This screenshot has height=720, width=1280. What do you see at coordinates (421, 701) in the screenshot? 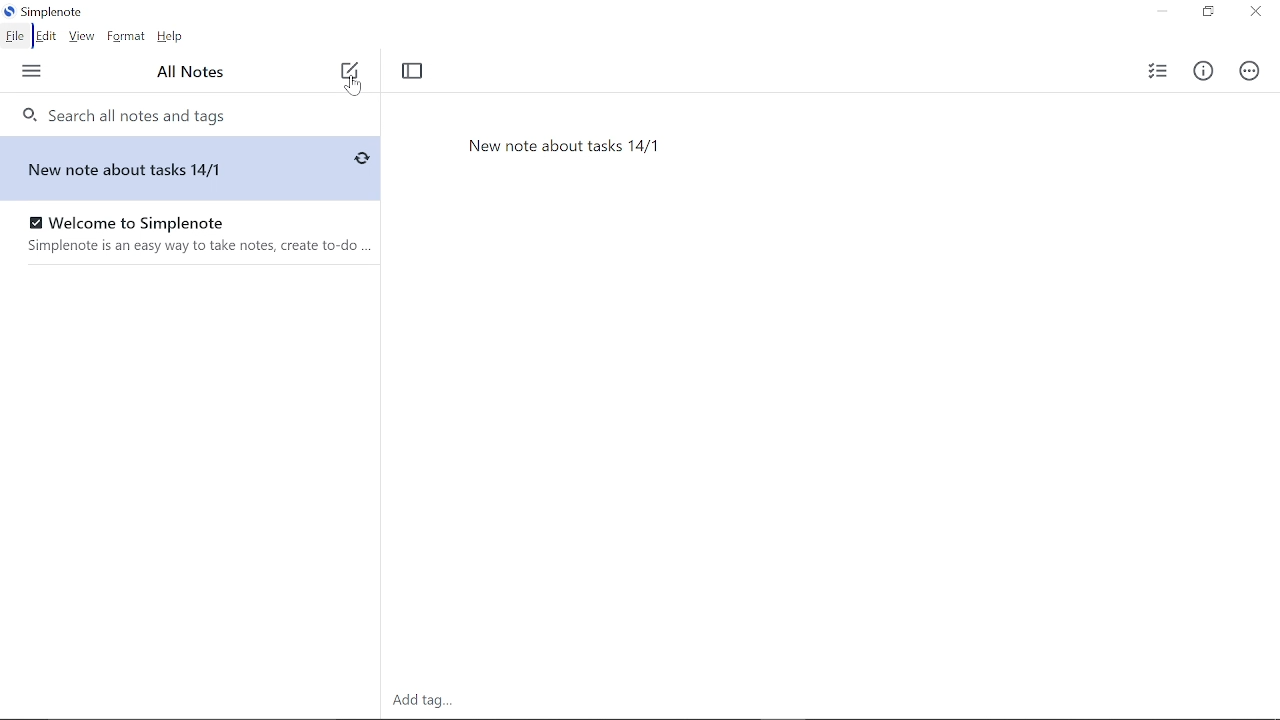
I see `Add tag` at bounding box center [421, 701].